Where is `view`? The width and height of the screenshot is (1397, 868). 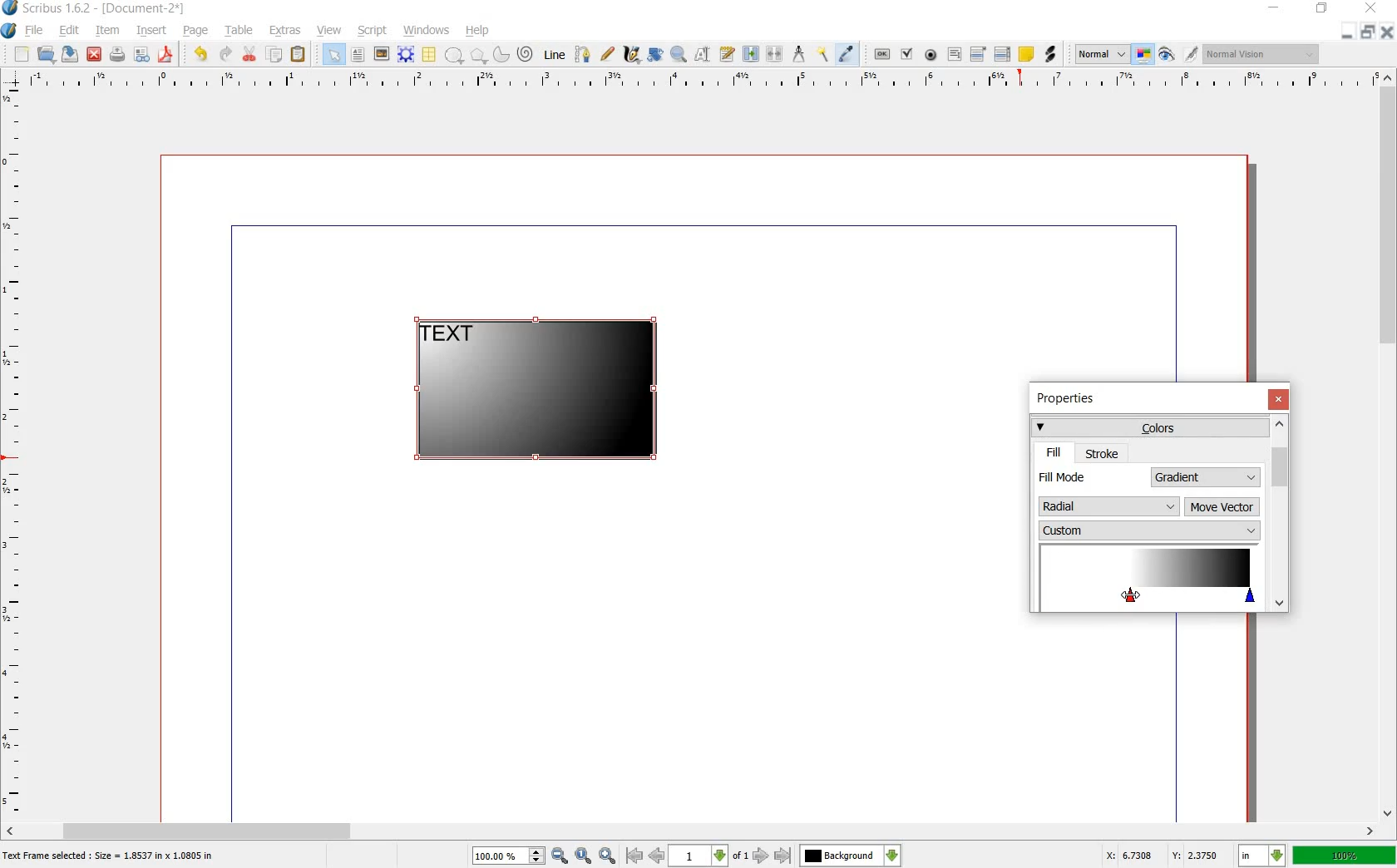
view is located at coordinates (330, 31).